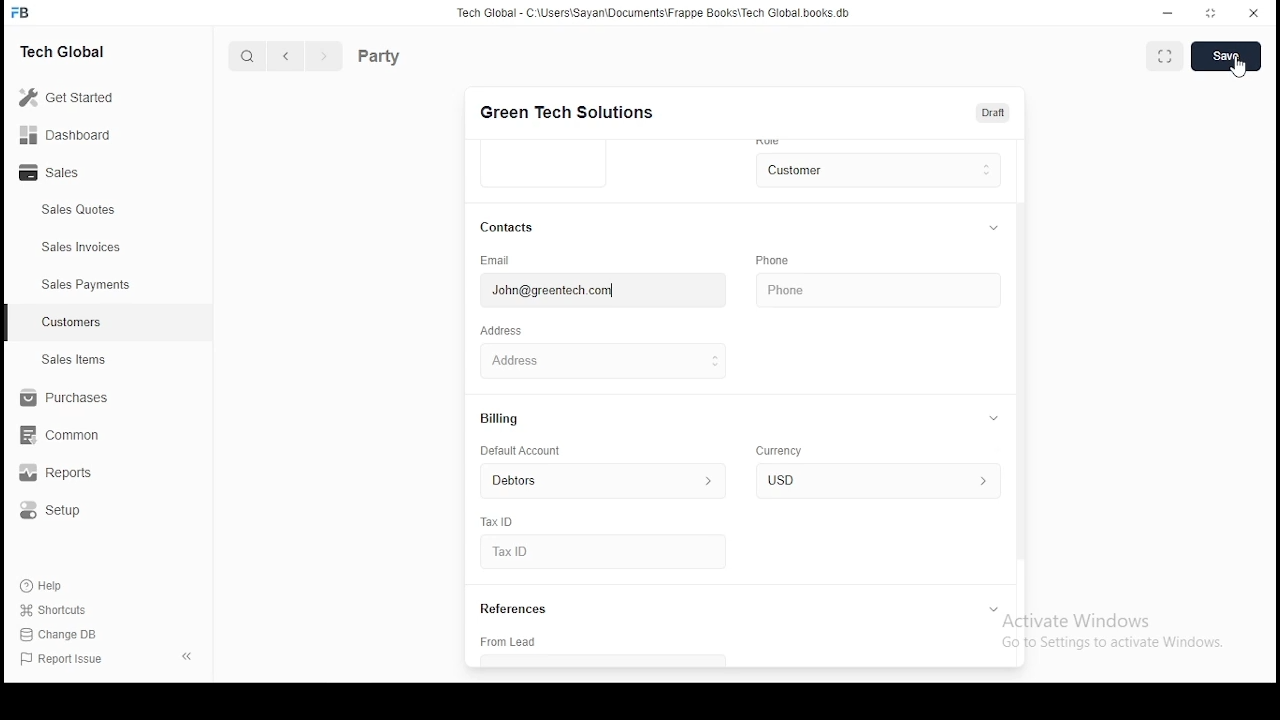 This screenshot has height=720, width=1280. I want to click on next, so click(321, 56).